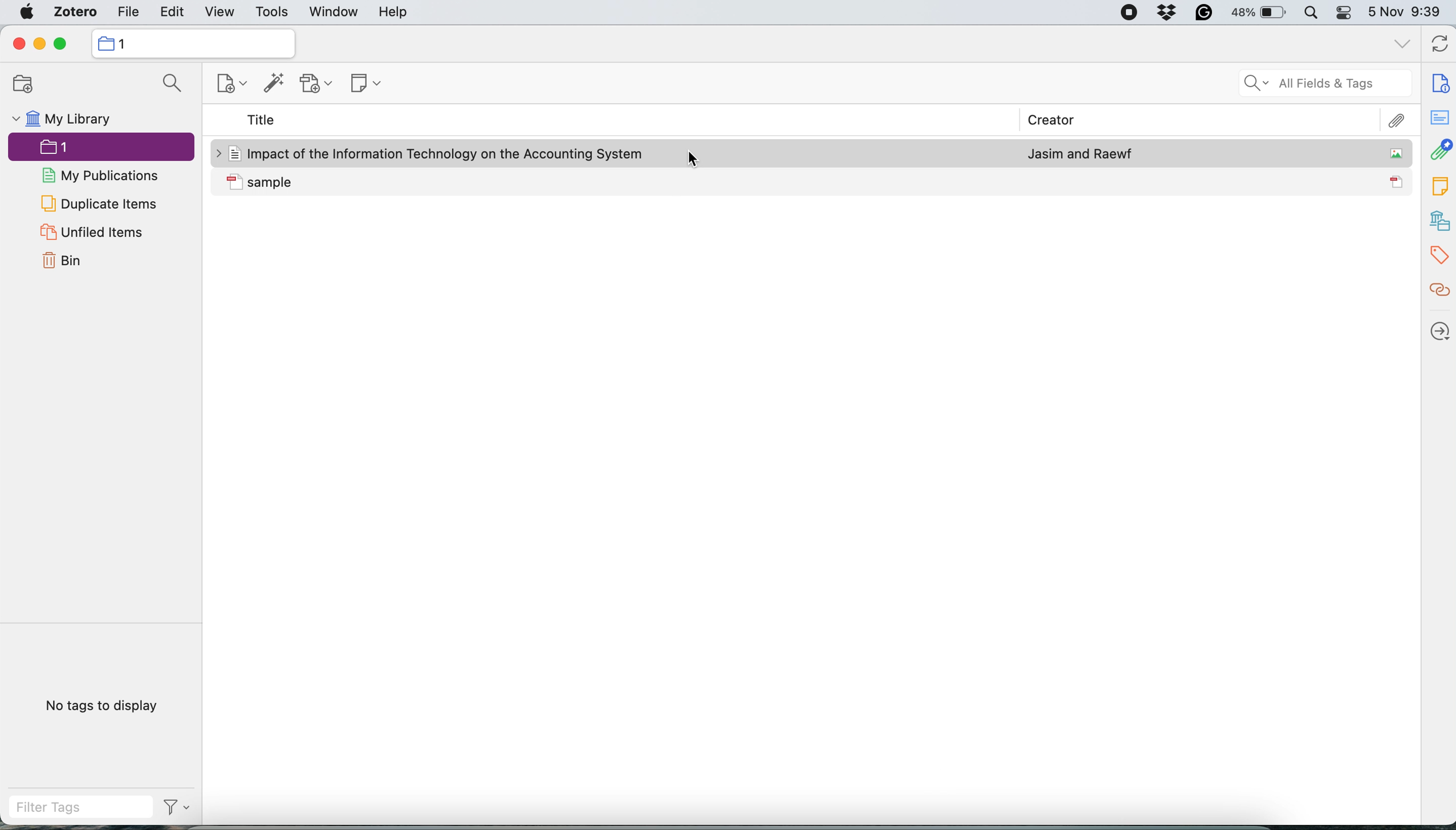  Describe the element at coordinates (1439, 330) in the screenshot. I see `locate` at that location.